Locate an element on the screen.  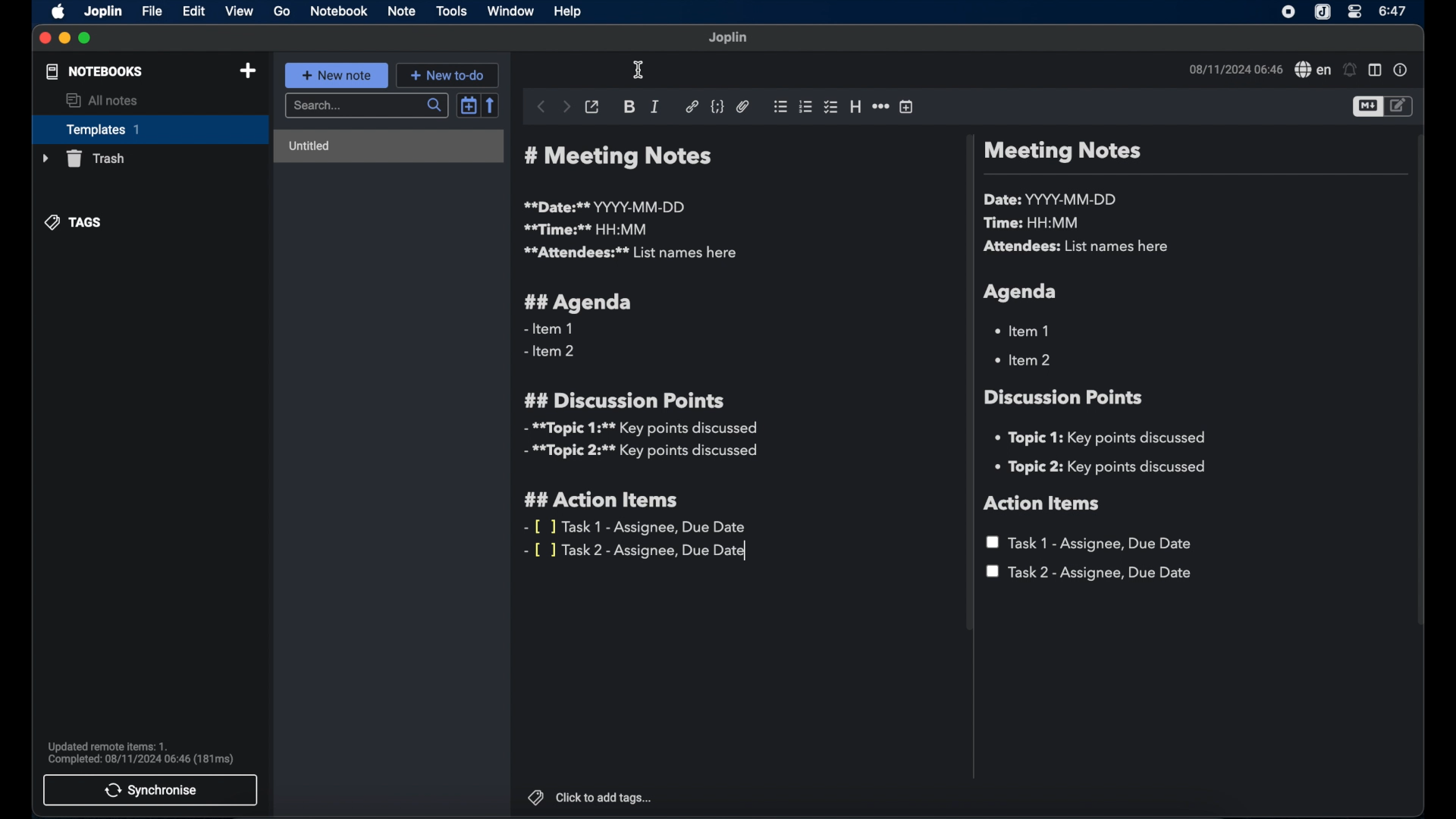
topic 1: key points discussed is located at coordinates (1106, 438).